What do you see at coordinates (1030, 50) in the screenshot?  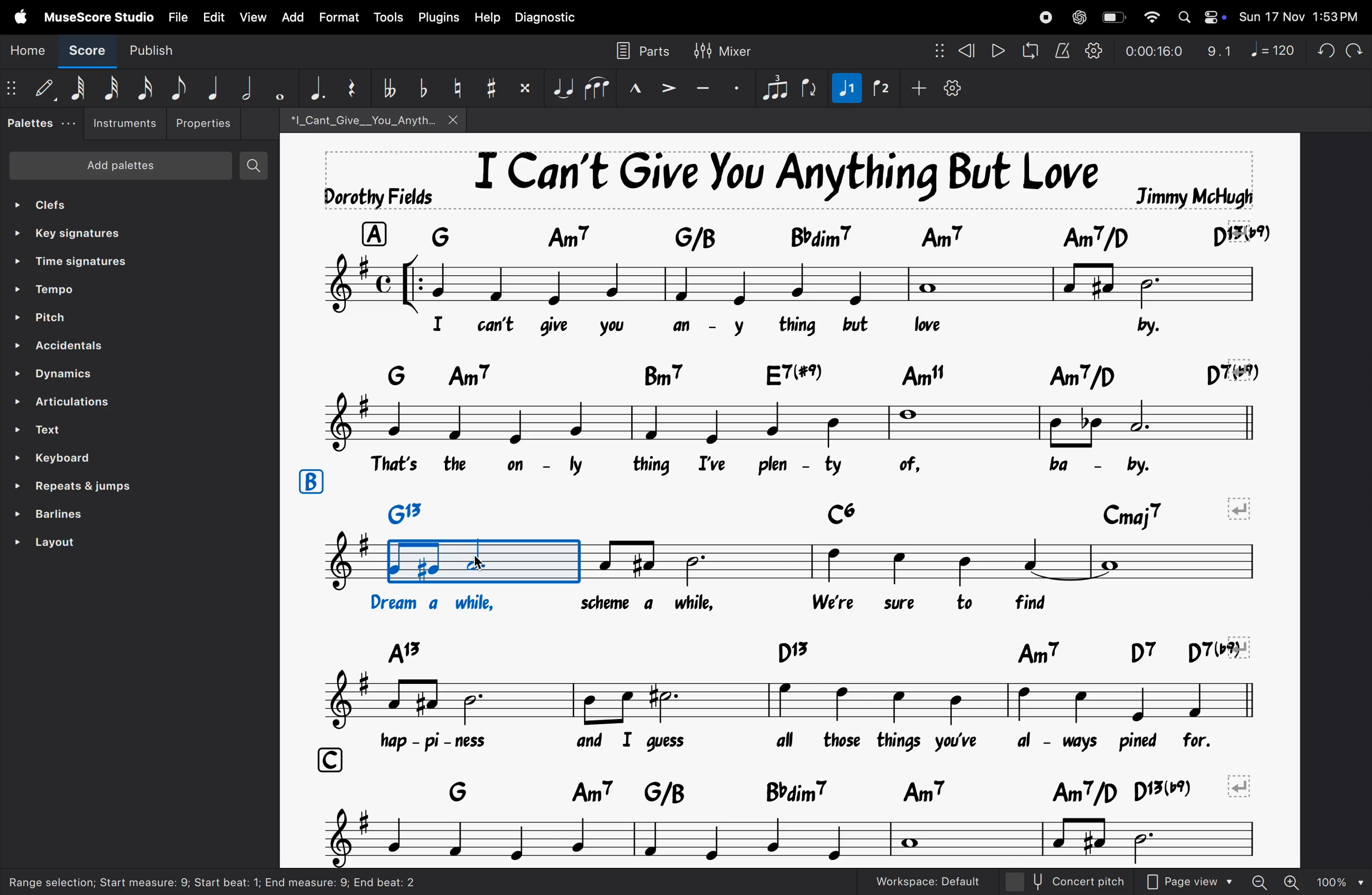 I see `loopback` at bounding box center [1030, 50].